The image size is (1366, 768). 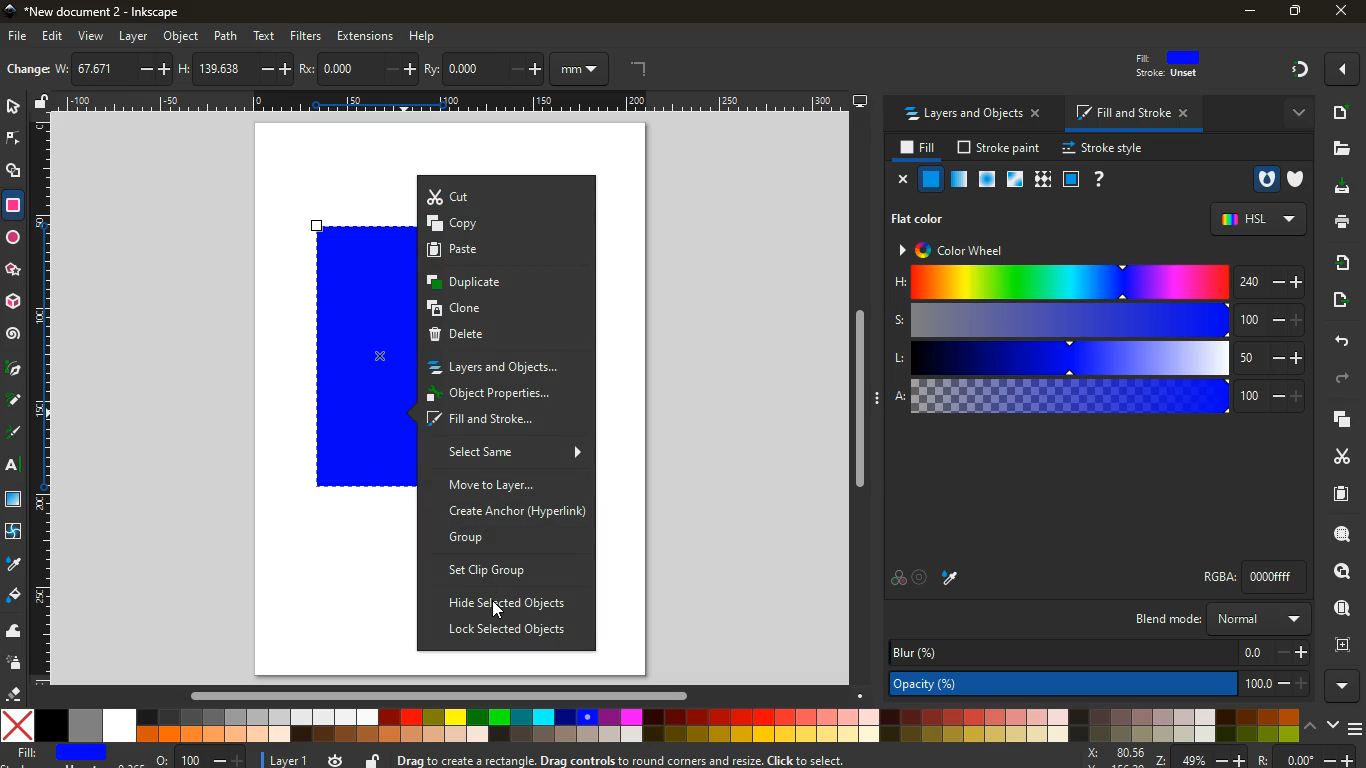 I want to click on copy, so click(x=501, y=224).